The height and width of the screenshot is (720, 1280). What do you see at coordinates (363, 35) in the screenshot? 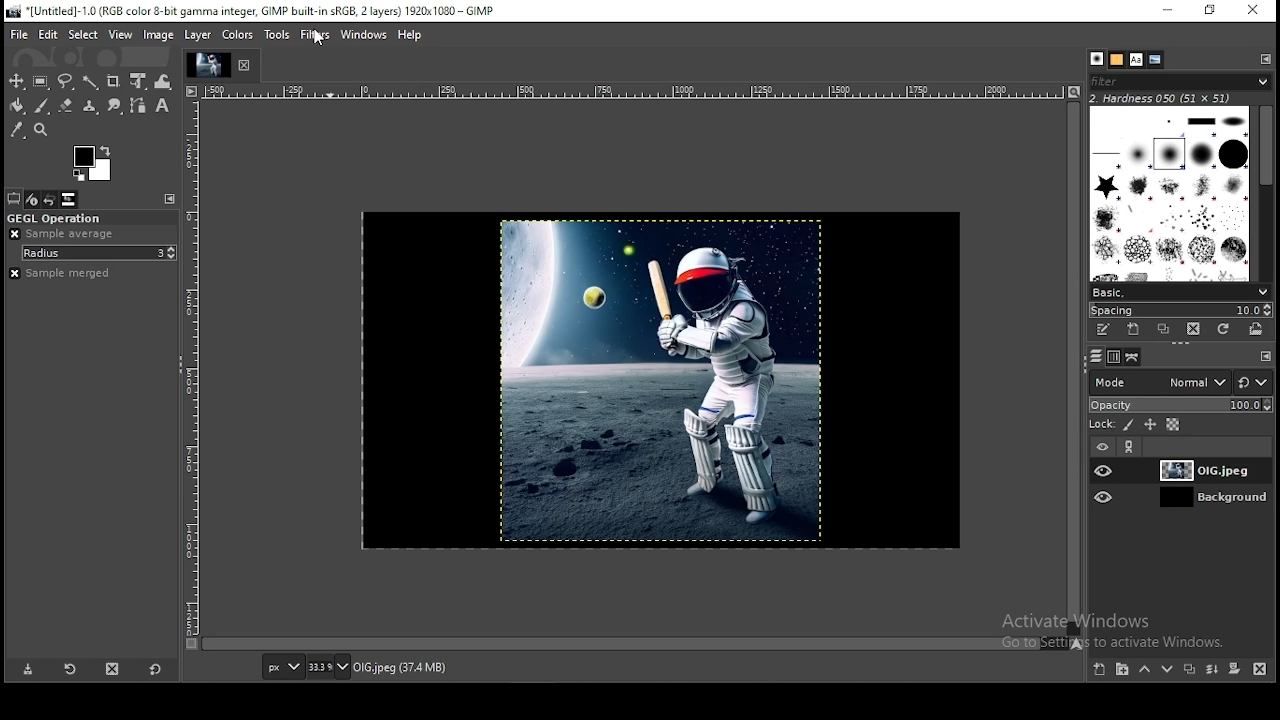
I see `windows` at bounding box center [363, 35].